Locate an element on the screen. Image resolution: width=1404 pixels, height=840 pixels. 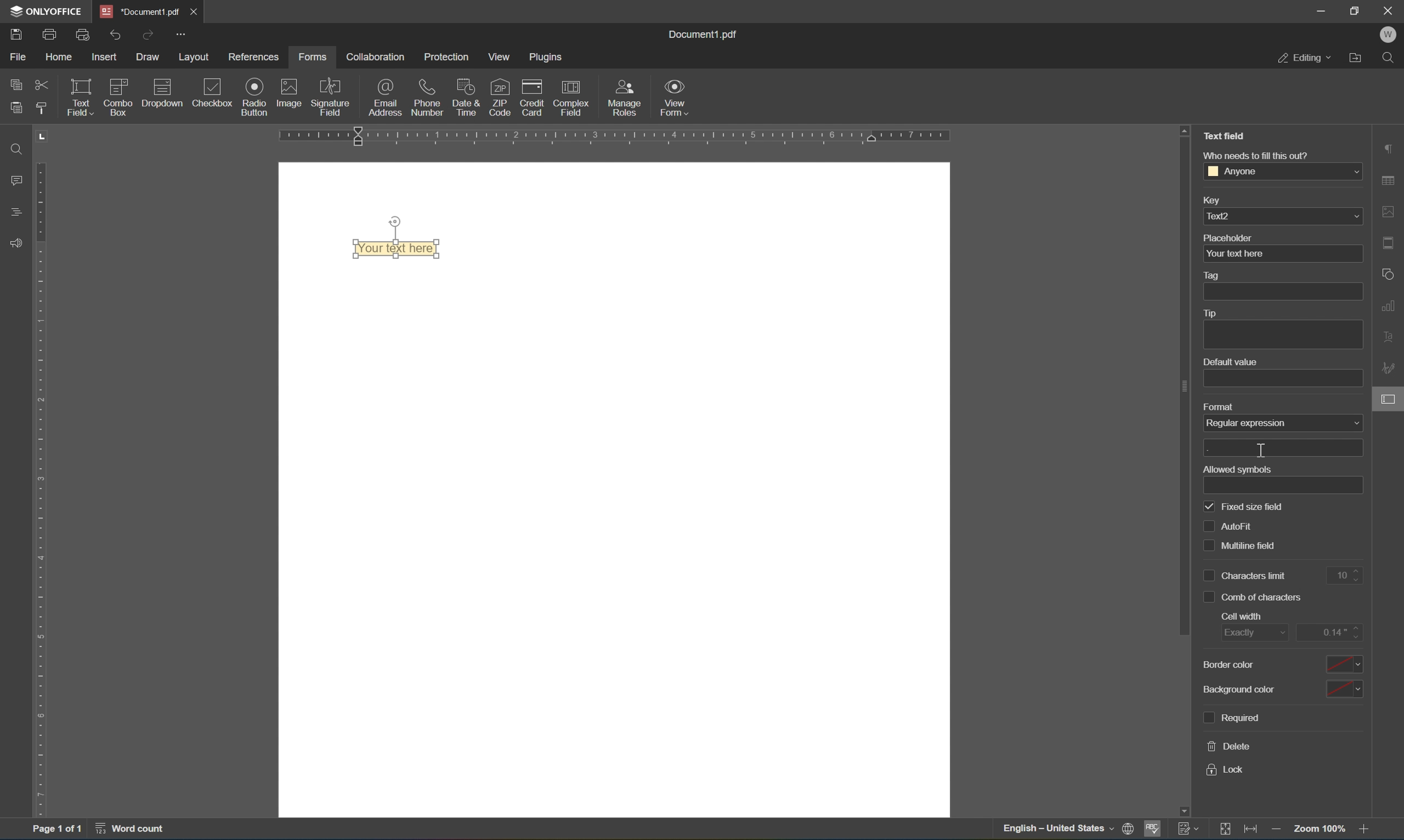
plugins is located at coordinates (549, 57).